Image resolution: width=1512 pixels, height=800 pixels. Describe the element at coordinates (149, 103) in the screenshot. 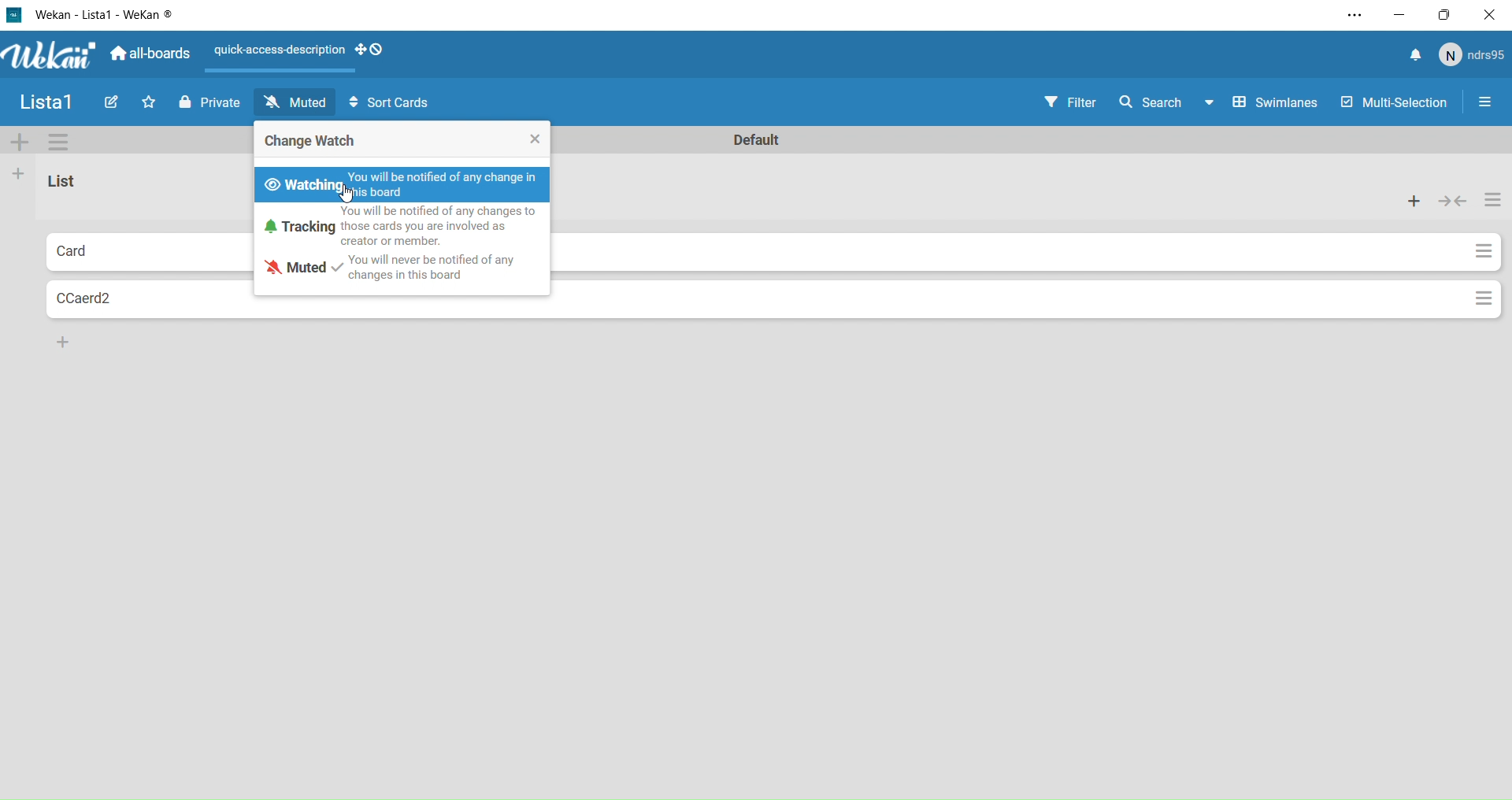

I see `Favourites` at that location.